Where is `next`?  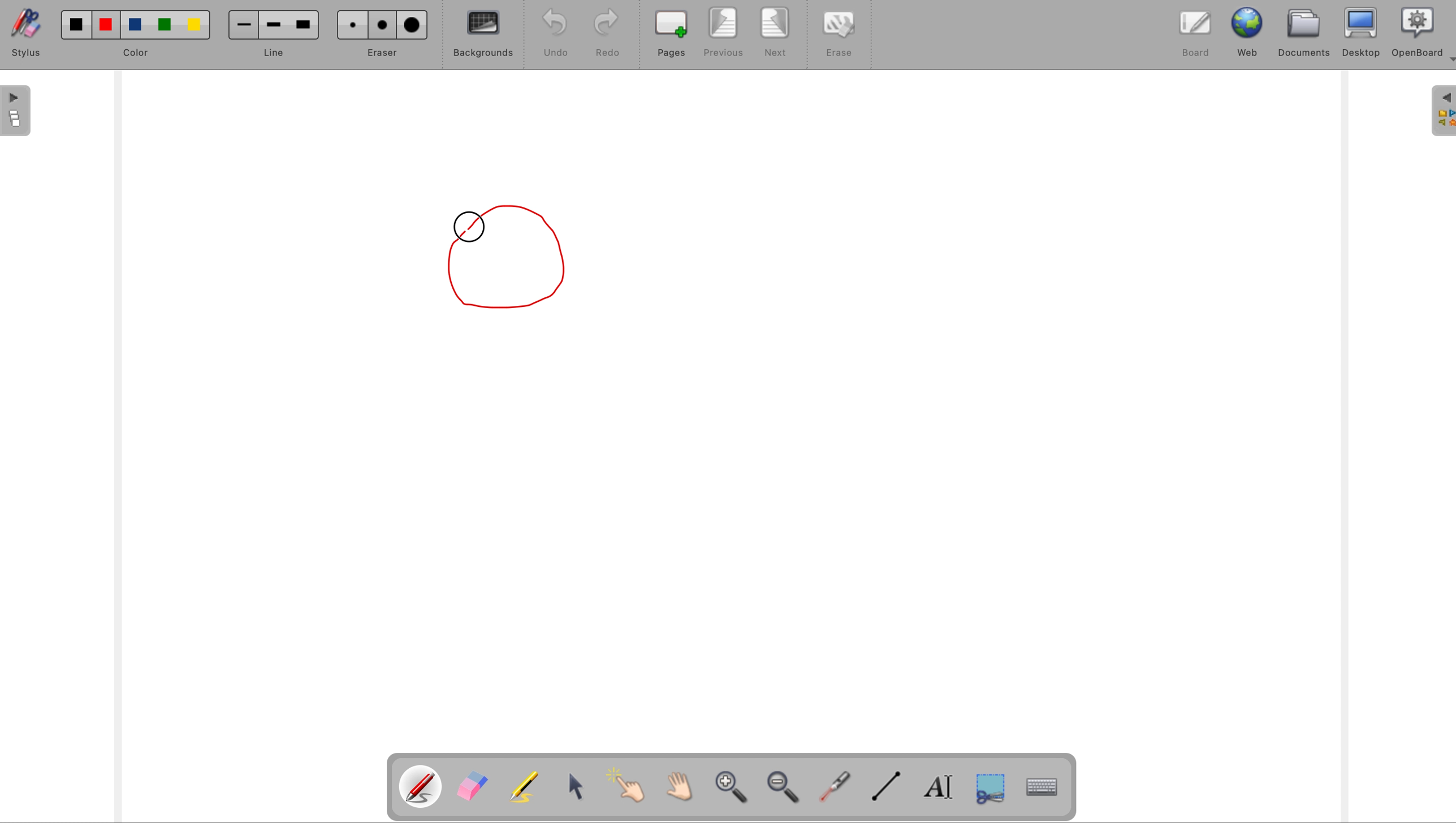 next is located at coordinates (775, 33).